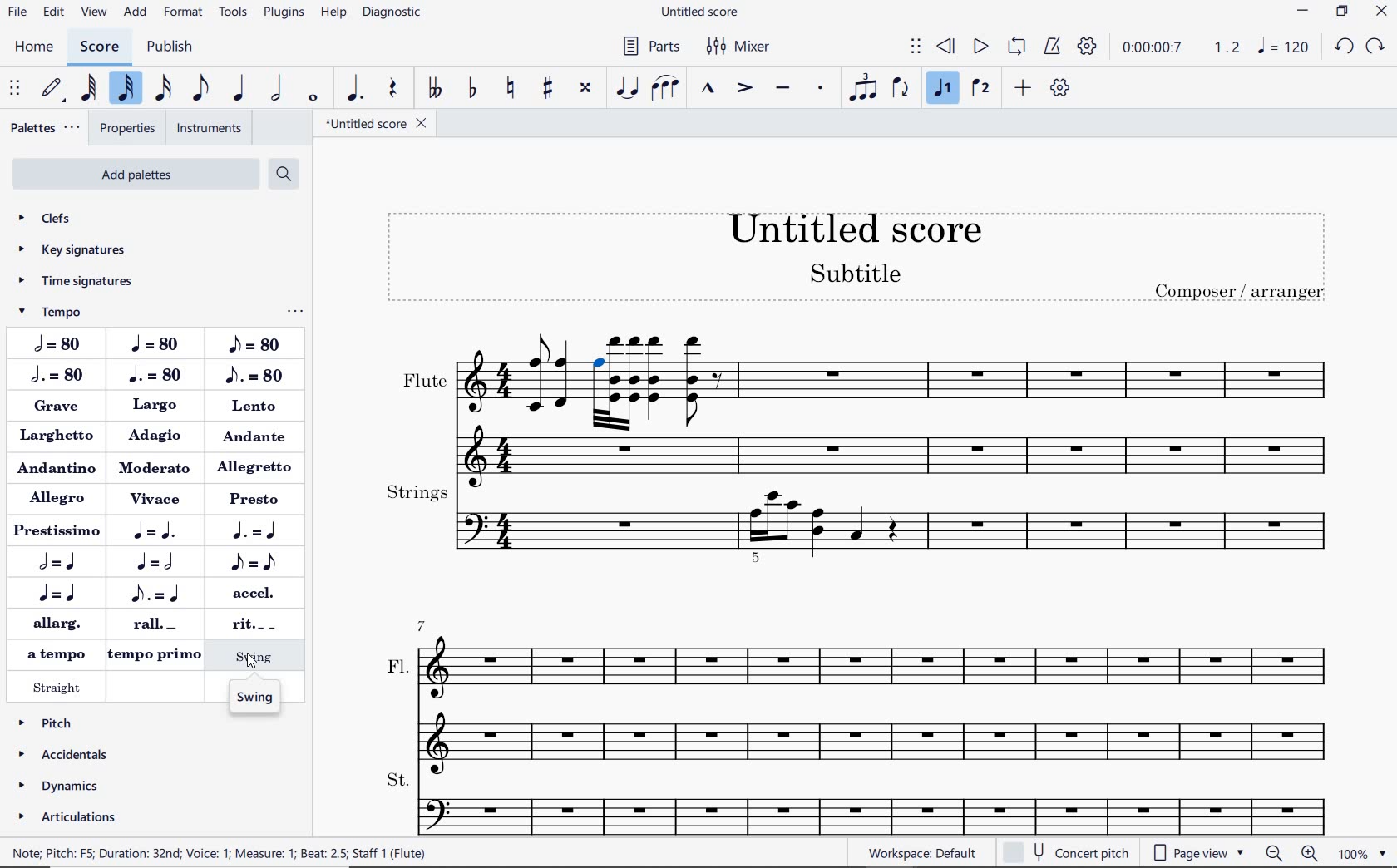 This screenshot has height=868, width=1397. Describe the element at coordinates (279, 89) in the screenshot. I see `HALF NOTE` at that location.